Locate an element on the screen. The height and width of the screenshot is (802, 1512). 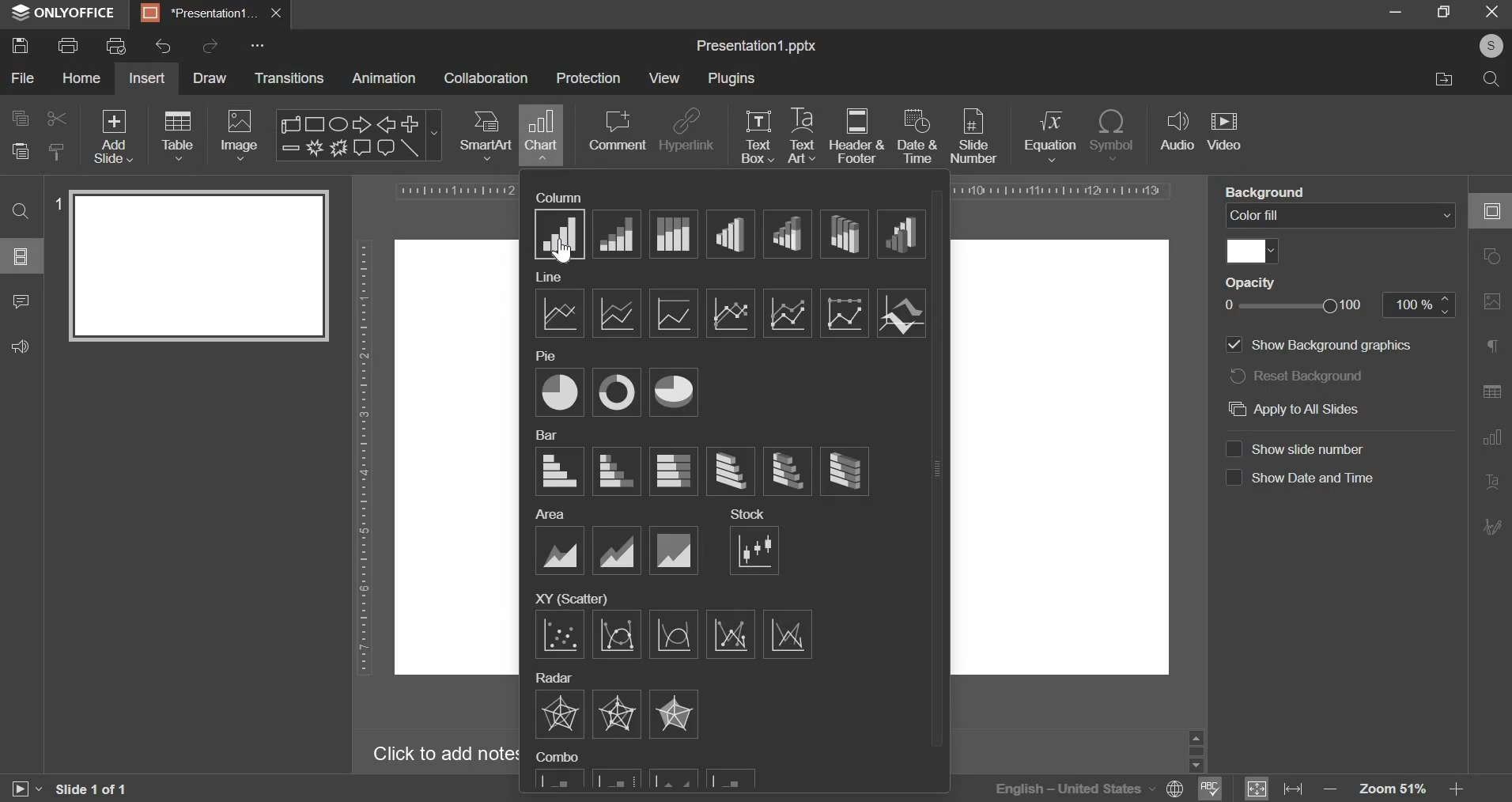
check box is located at coordinates (1234, 448).